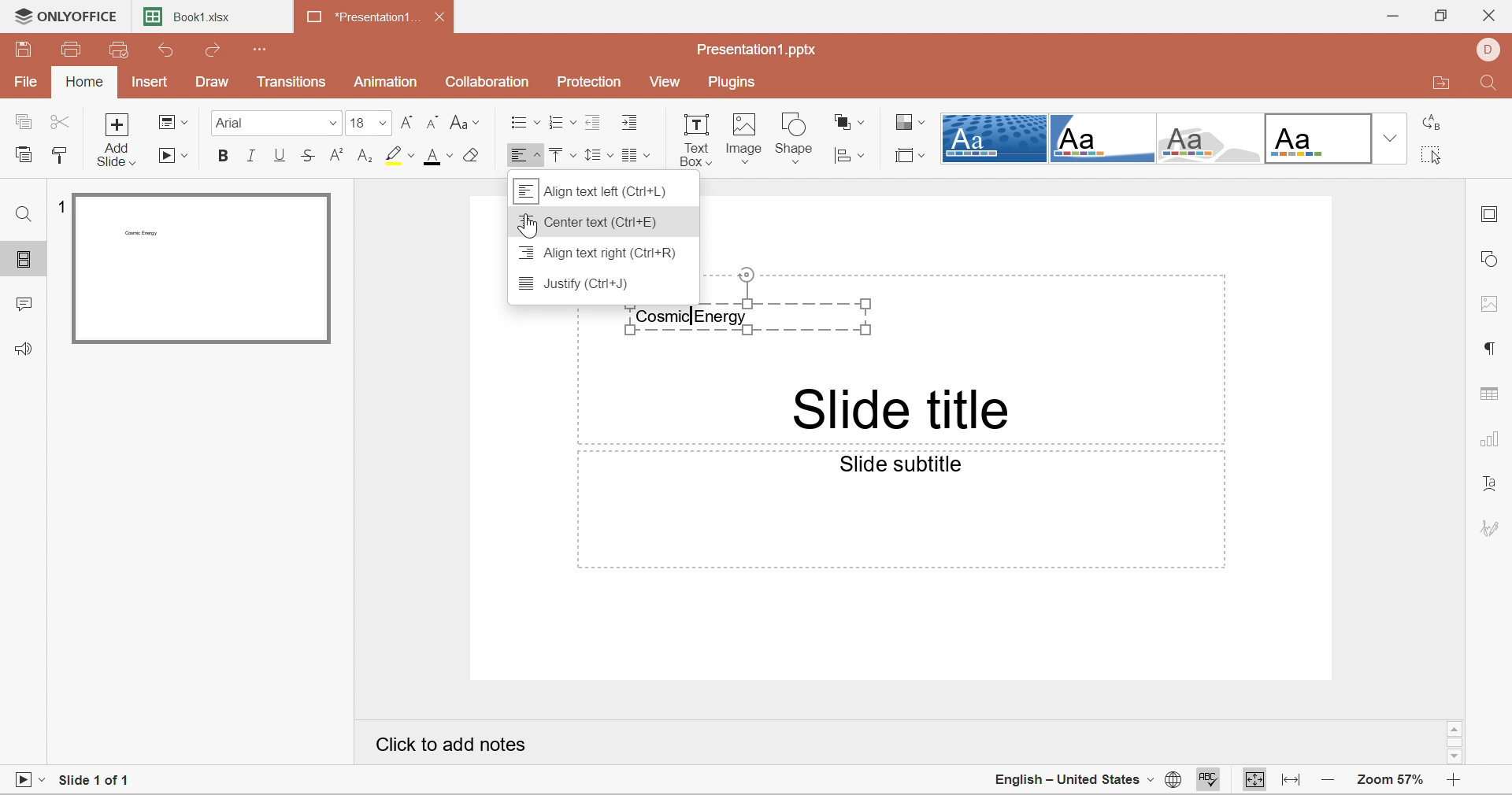 This screenshot has height=795, width=1512. I want to click on Select all, so click(1432, 154).